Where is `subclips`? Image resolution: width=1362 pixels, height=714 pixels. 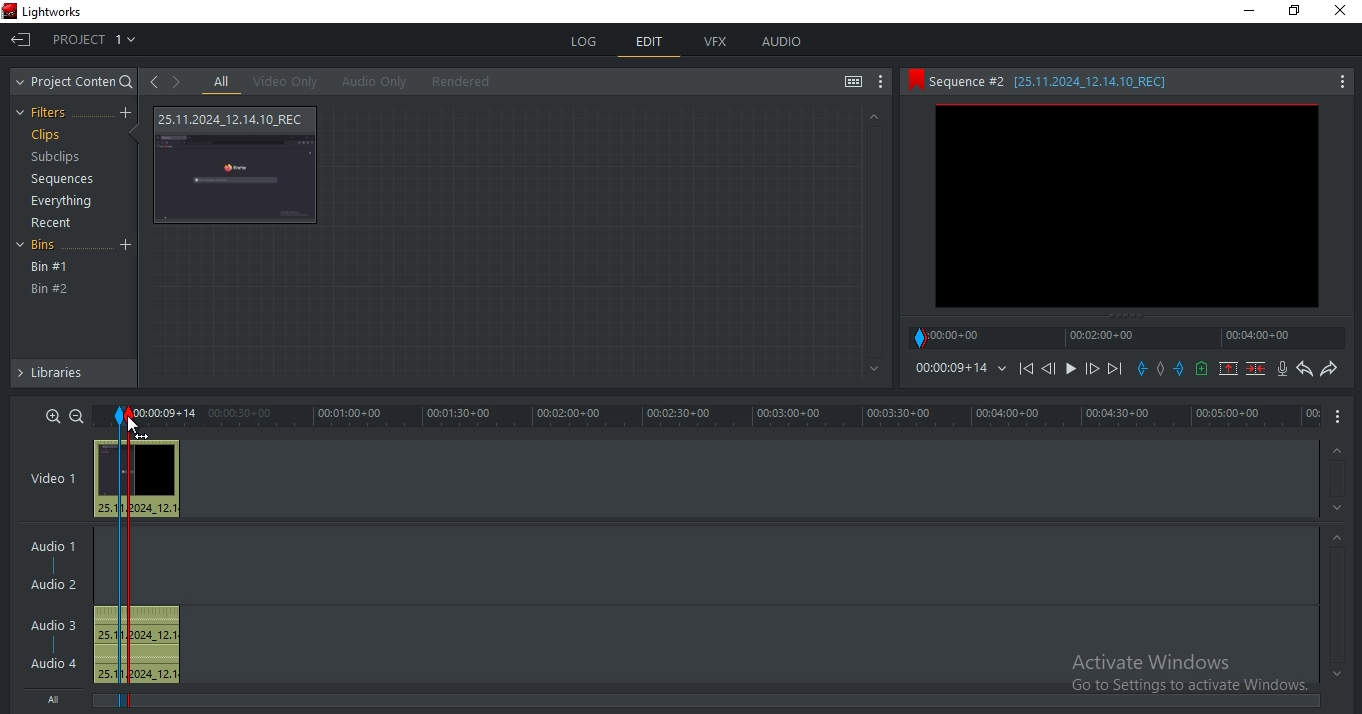
subclips is located at coordinates (58, 159).